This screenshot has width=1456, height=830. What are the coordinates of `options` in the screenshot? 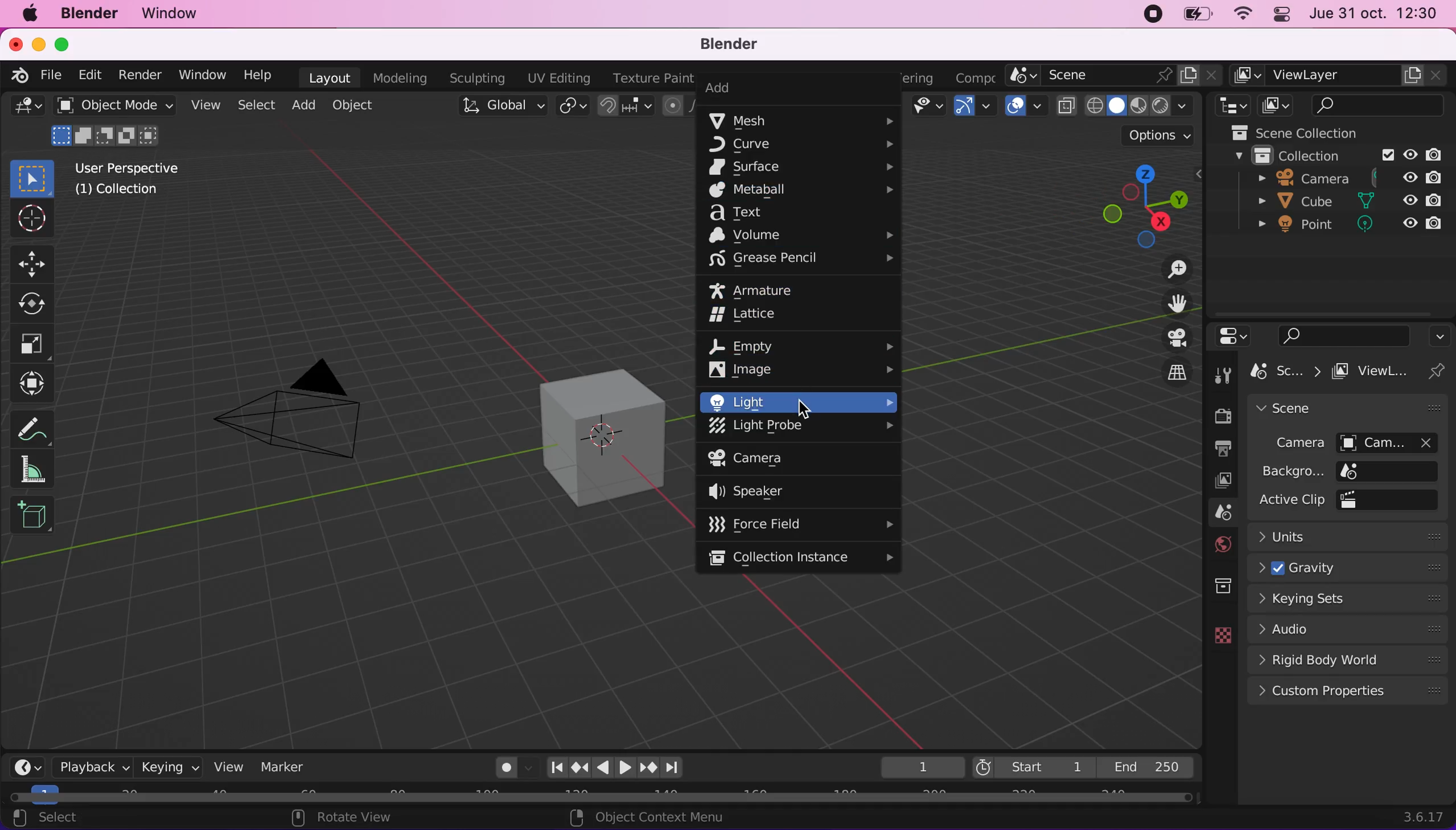 It's located at (1159, 137).